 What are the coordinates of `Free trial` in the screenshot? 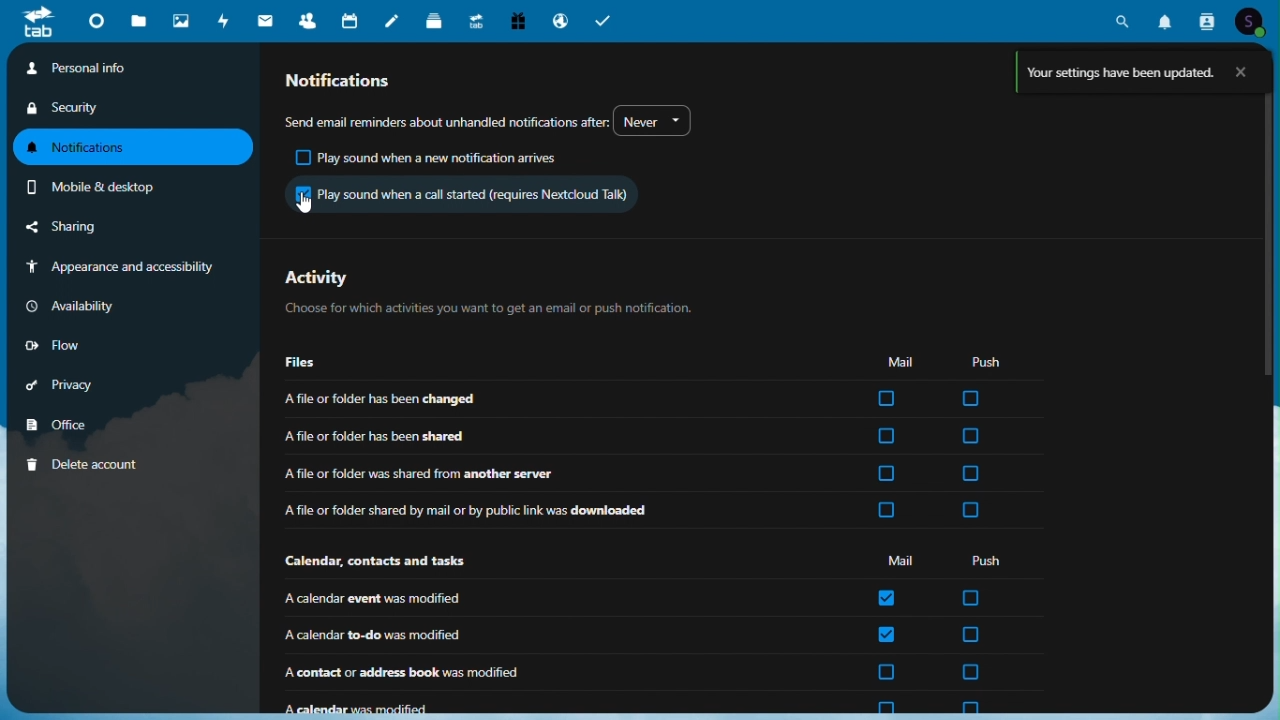 It's located at (517, 20).